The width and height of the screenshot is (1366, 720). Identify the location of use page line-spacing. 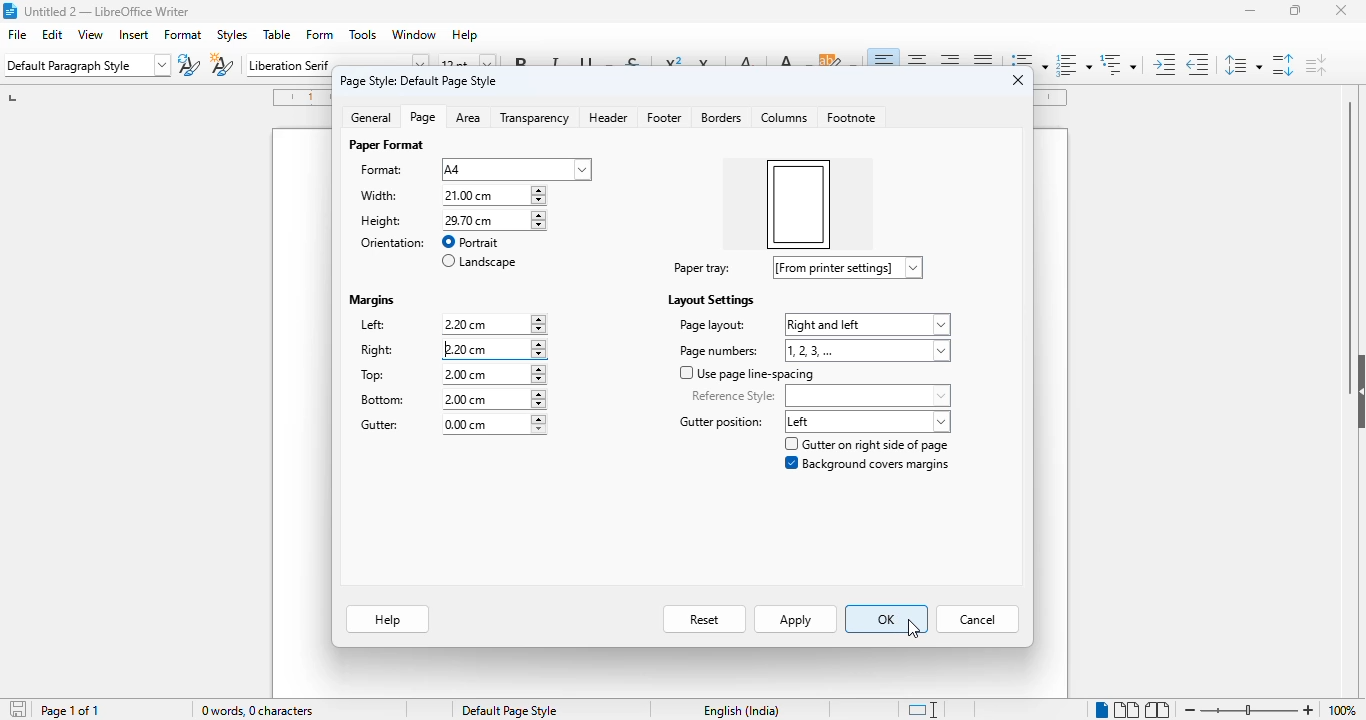
(748, 374).